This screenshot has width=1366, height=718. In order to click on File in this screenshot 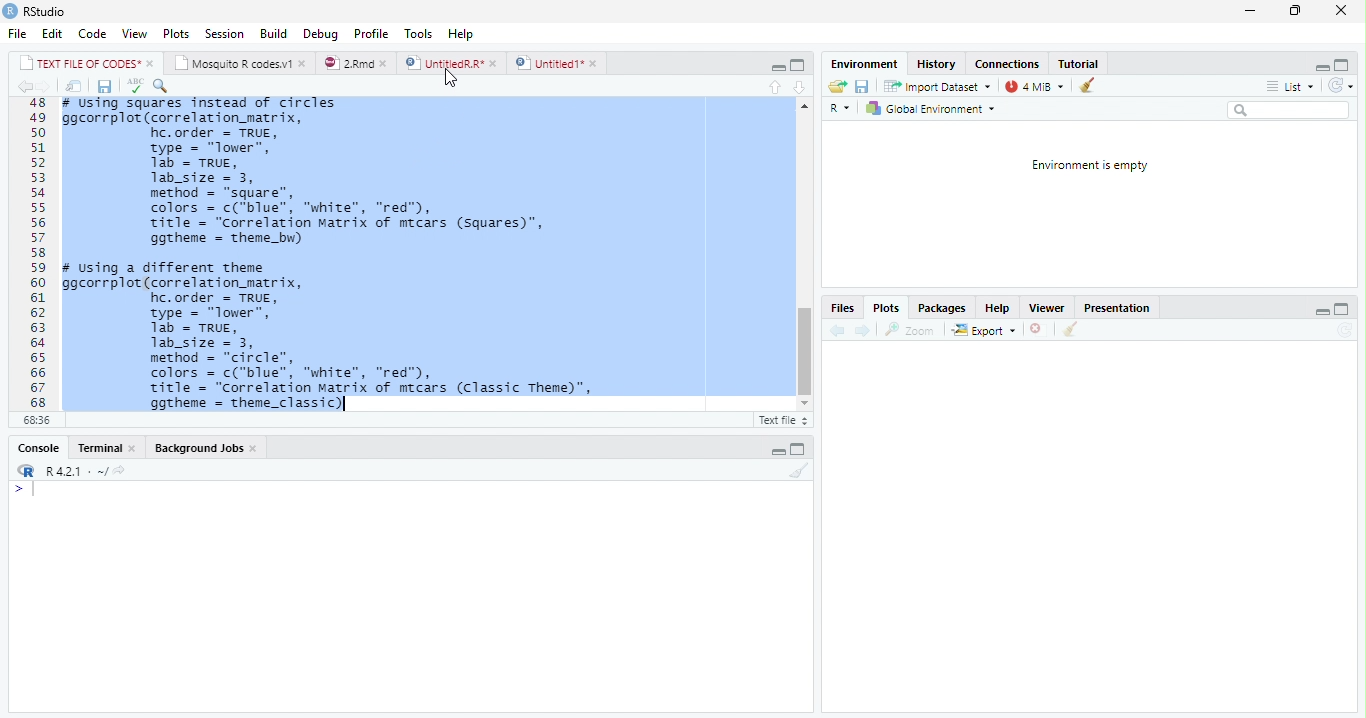, I will do `click(15, 35)`.